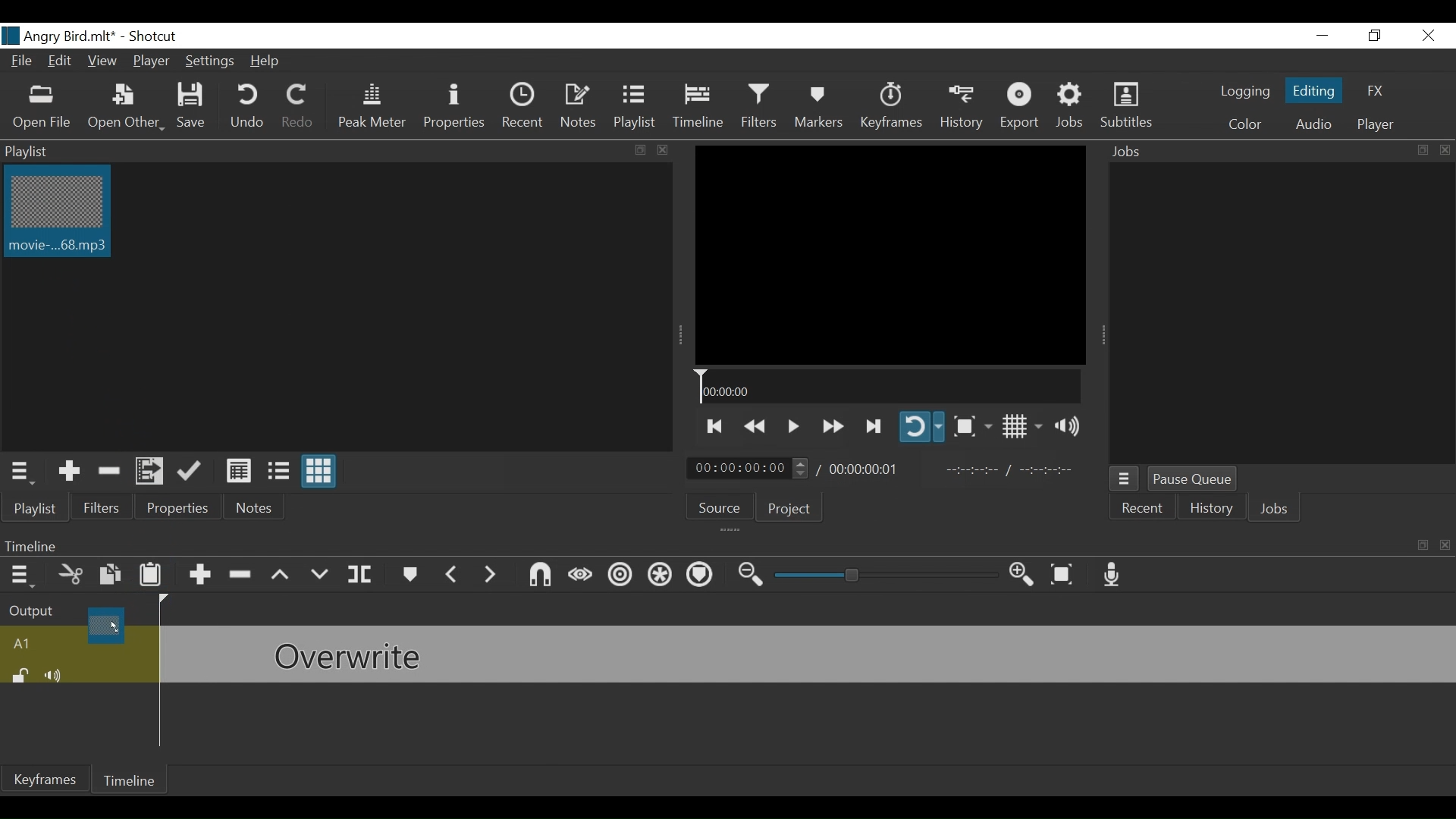 The height and width of the screenshot is (819, 1456). Describe the element at coordinates (42, 107) in the screenshot. I see `Open File` at that location.